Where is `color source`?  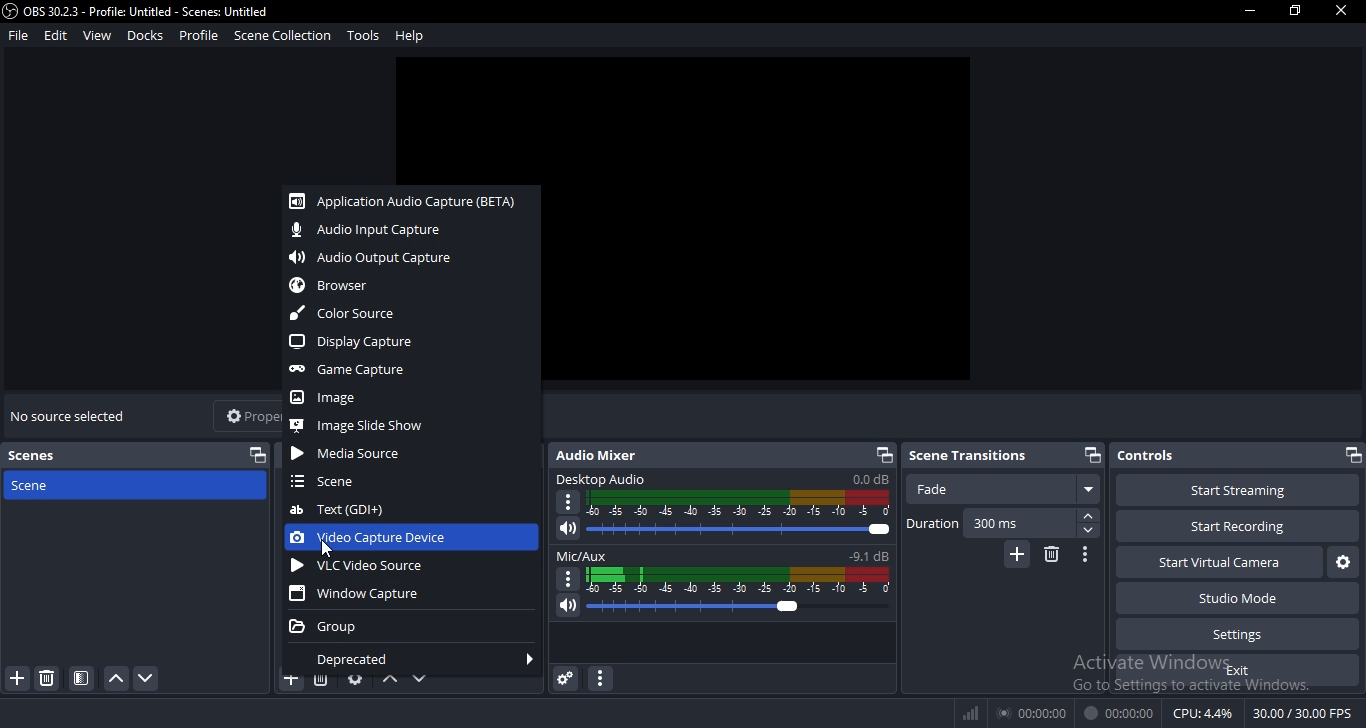 color source is located at coordinates (351, 311).